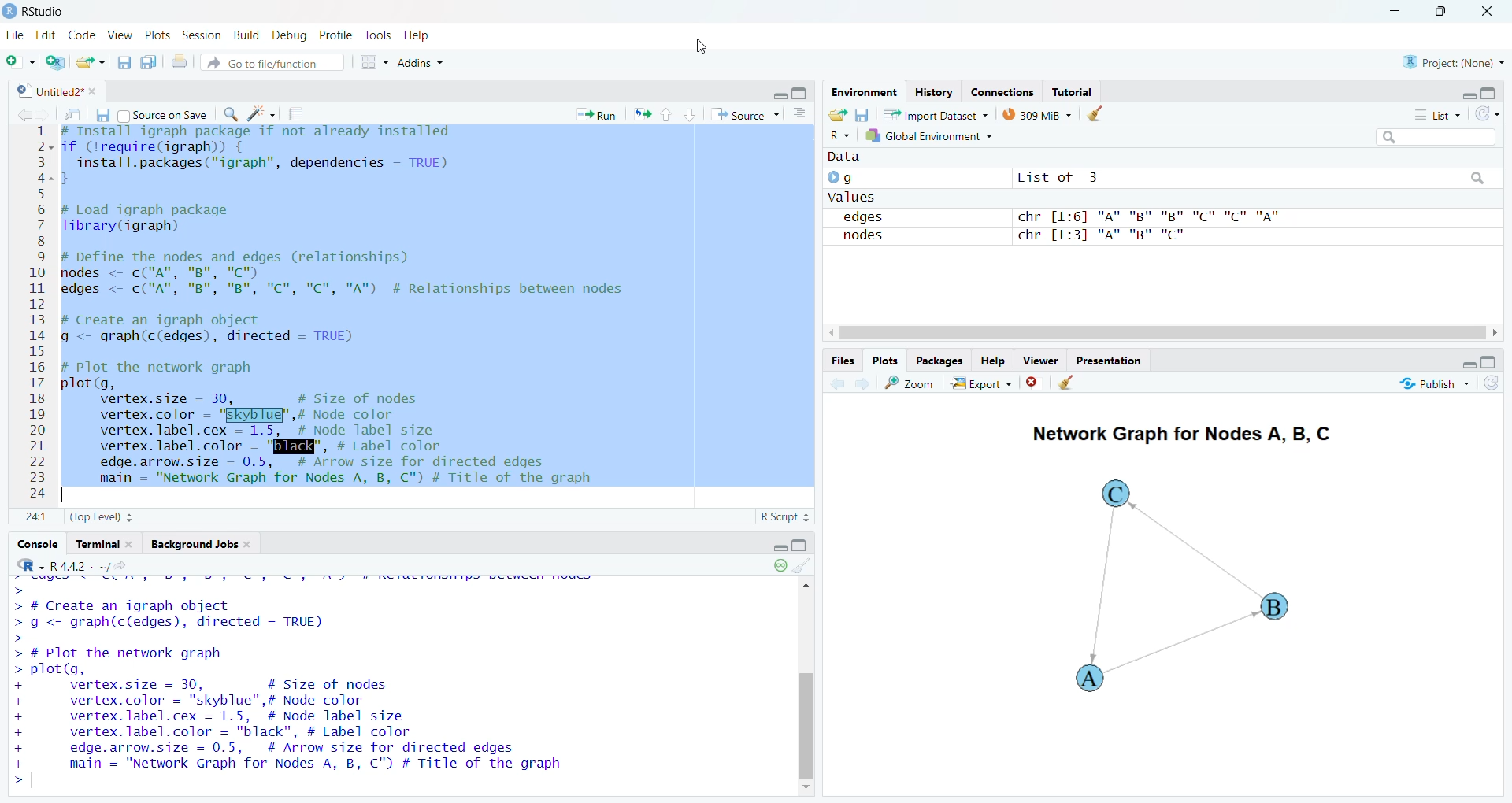  Describe the element at coordinates (368, 65) in the screenshot. I see `grid` at that location.